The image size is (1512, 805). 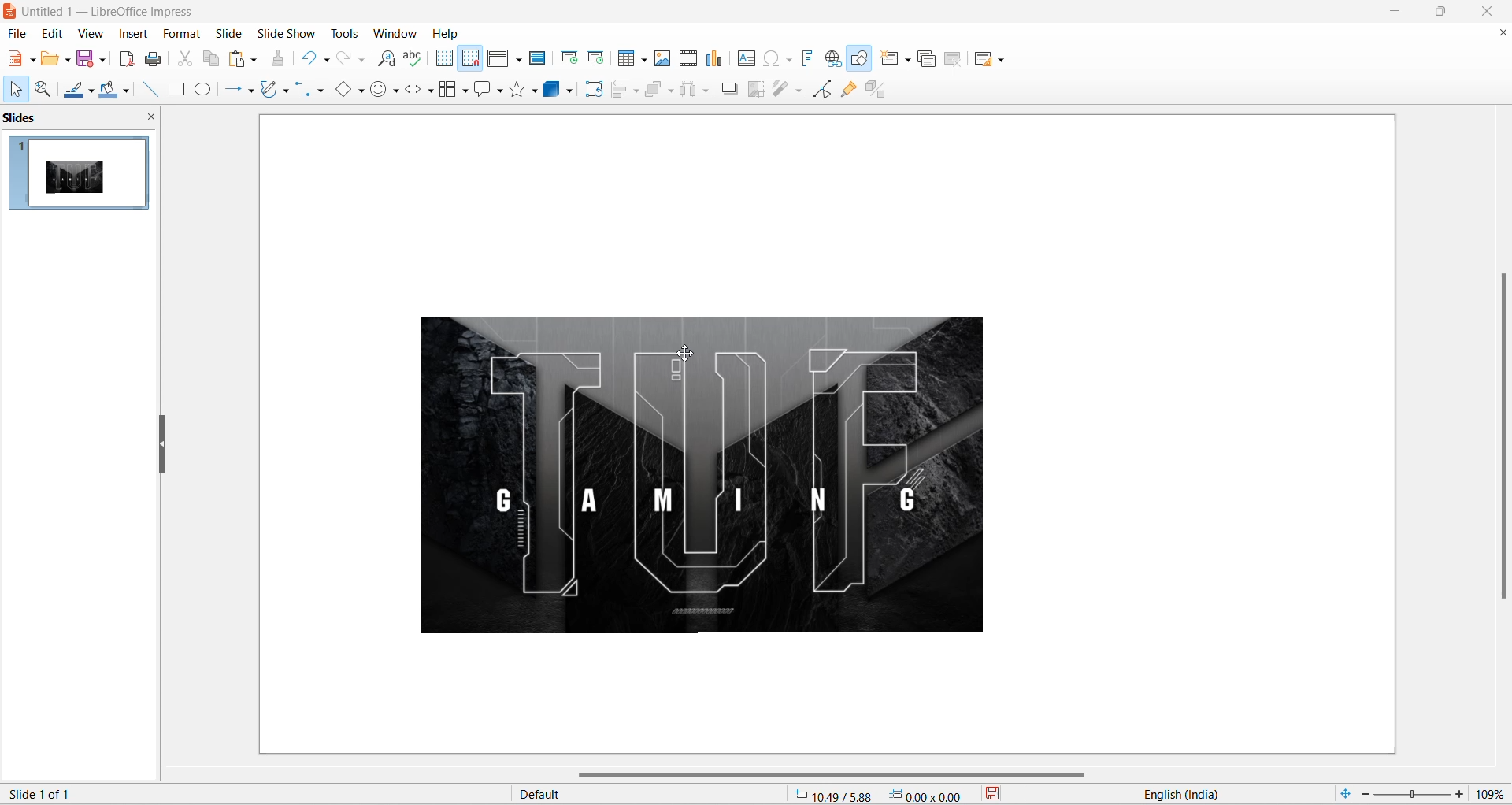 I want to click on table grid, so click(x=645, y=60).